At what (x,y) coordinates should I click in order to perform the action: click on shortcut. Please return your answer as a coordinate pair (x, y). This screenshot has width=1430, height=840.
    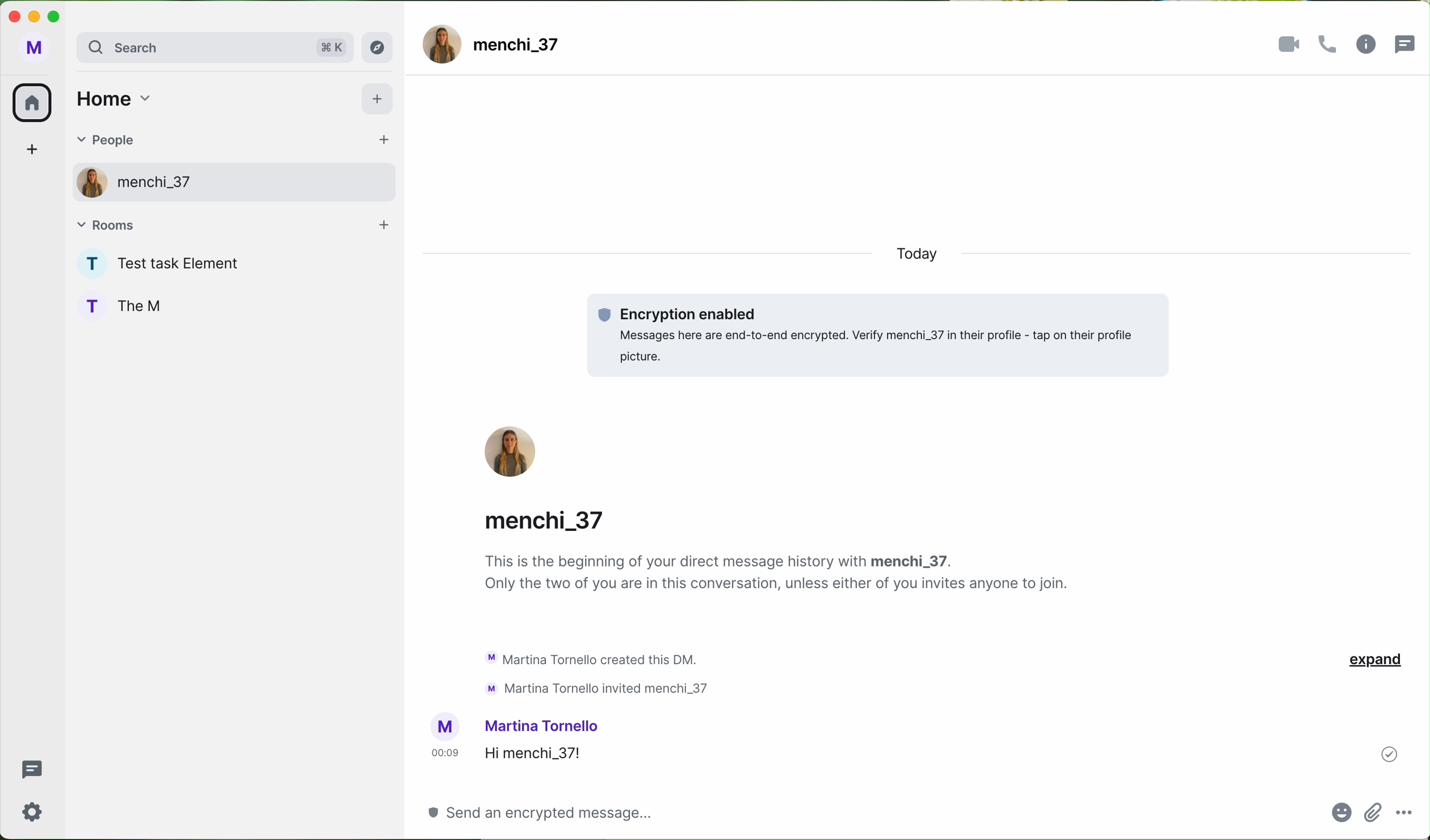
    Looking at the image, I should click on (330, 48).